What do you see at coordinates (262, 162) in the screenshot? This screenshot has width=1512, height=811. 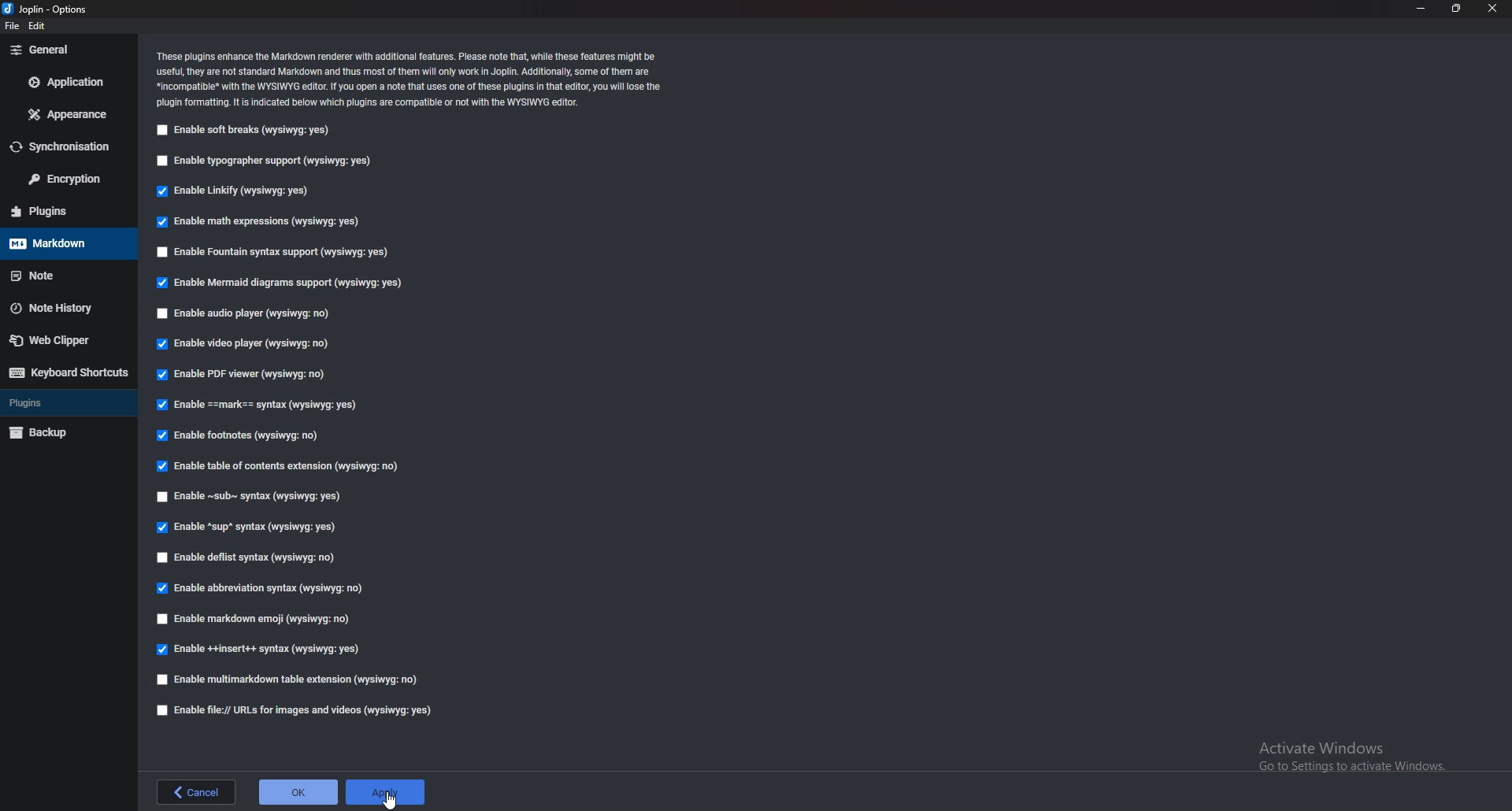 I see `Enable typographer support` at bounding box center [262, 162].